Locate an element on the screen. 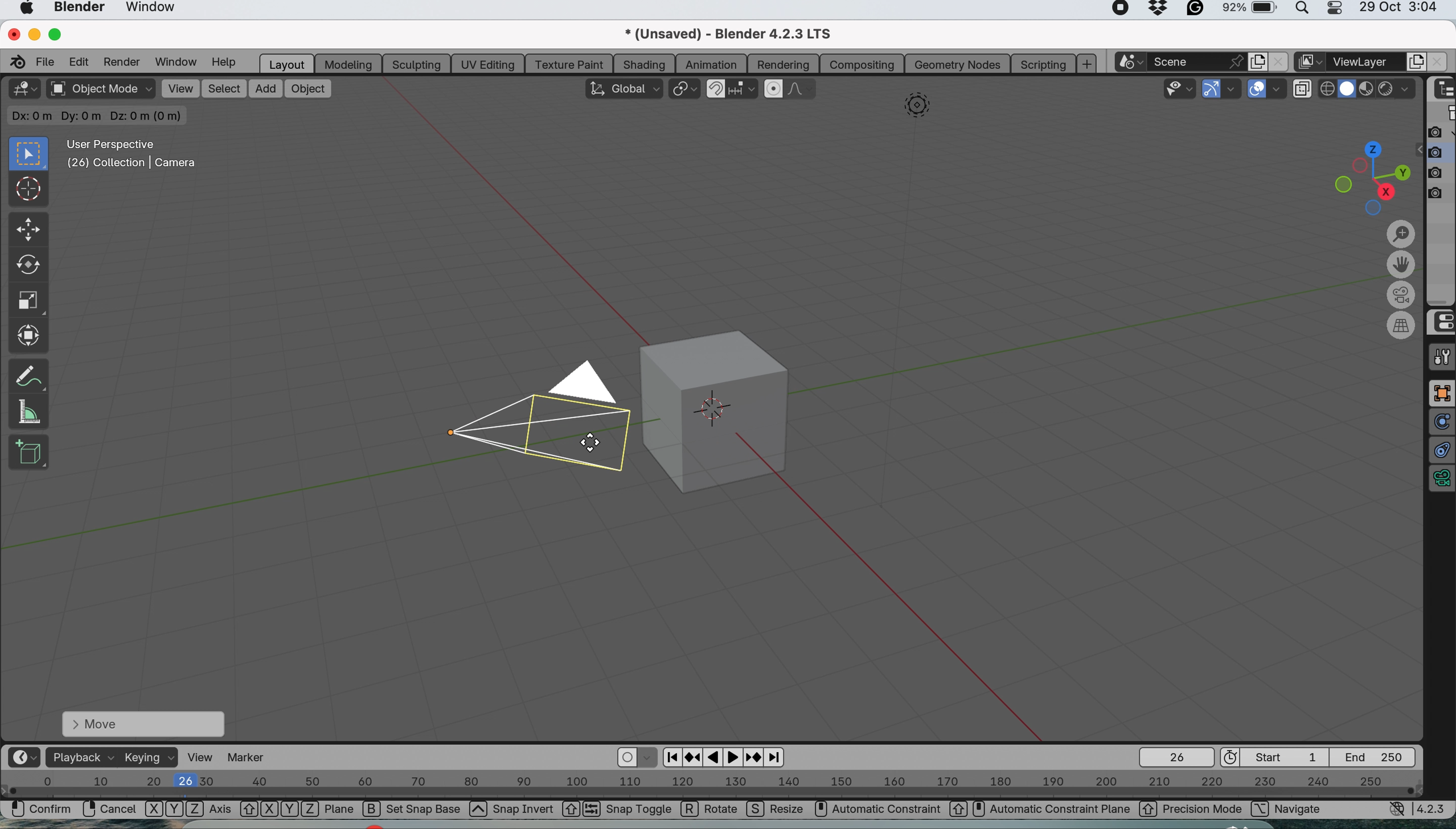  transform pivot point is located at coordinates (684, 89).